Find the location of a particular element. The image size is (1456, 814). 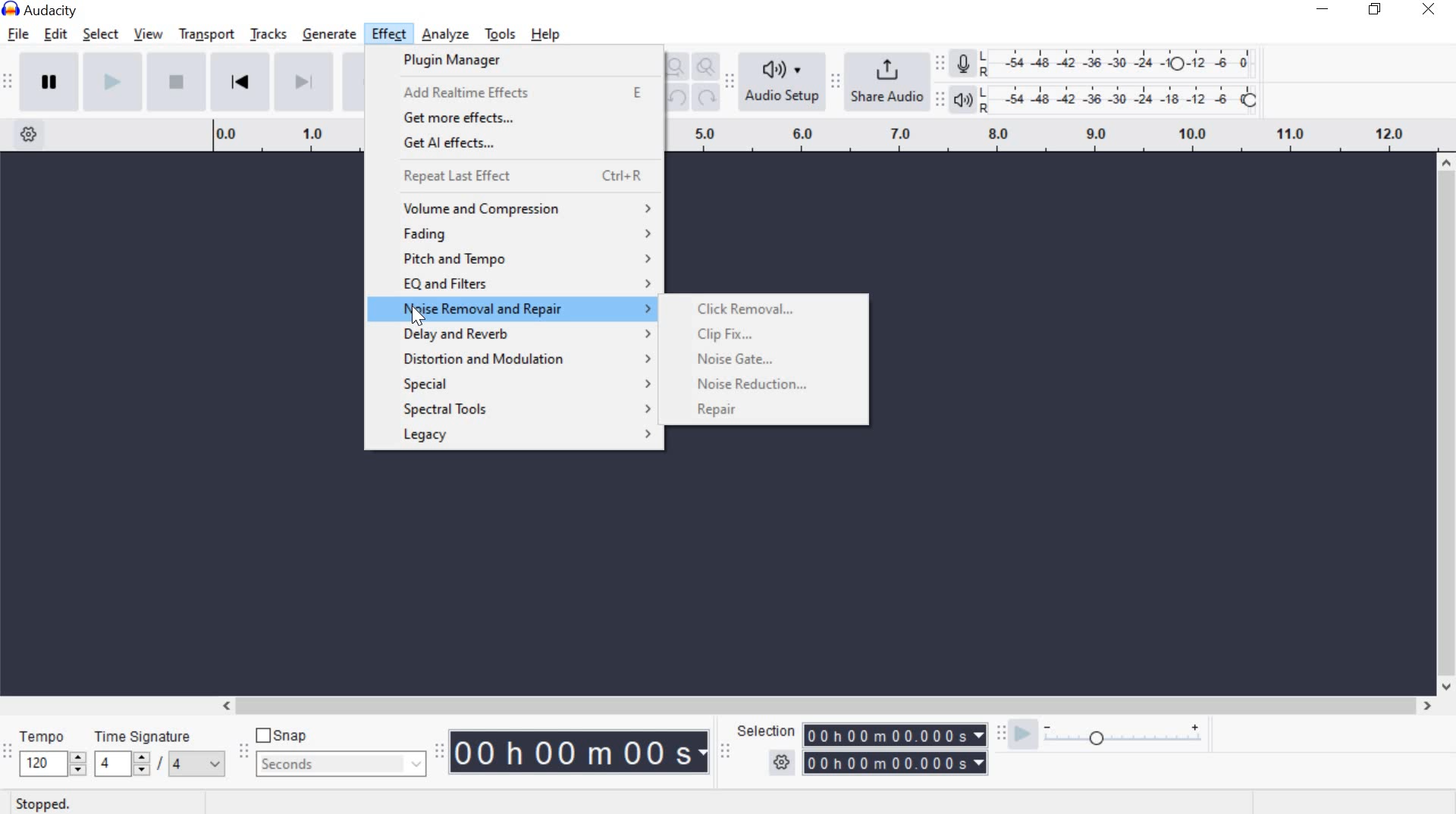

restore down is located at coordinates (1373, 8).